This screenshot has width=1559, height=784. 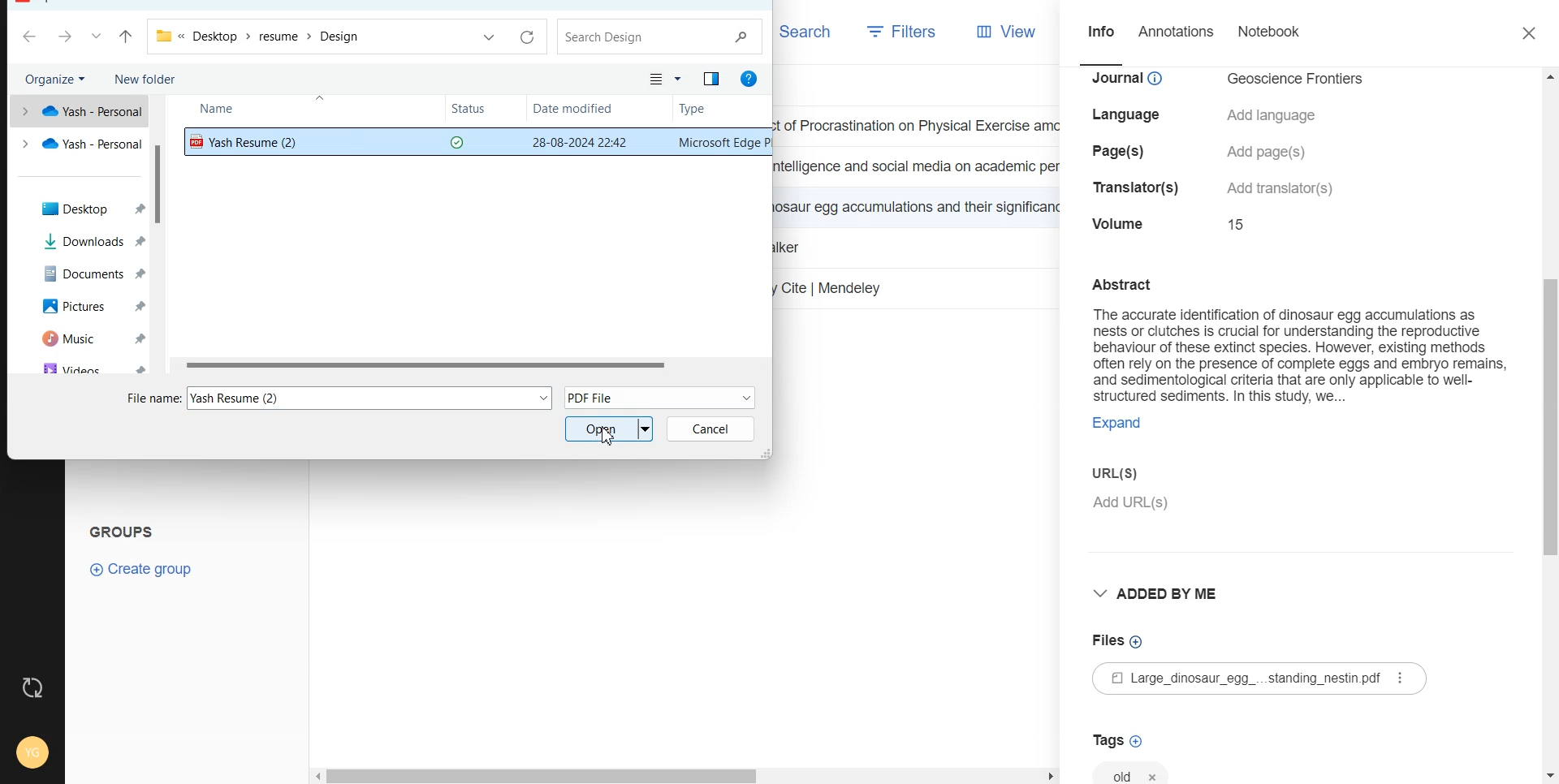 What do you see at coordinates (80, 272) in the screenshot?
I see `Documents` at bounding box center [80, 272].